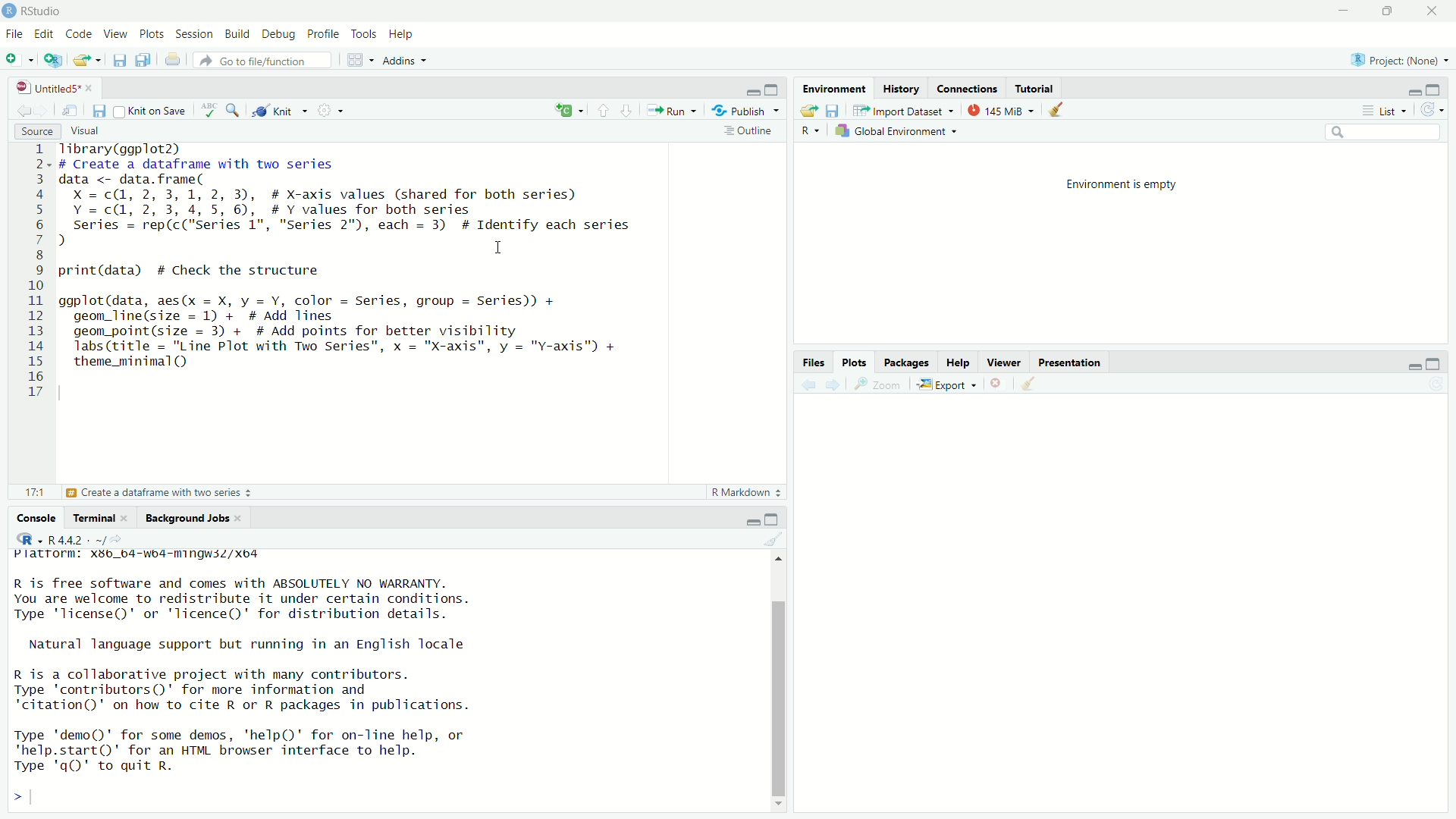  Describe the element at coordinates (1398, 62) in the screenshot. I see `Project Name` at that location.